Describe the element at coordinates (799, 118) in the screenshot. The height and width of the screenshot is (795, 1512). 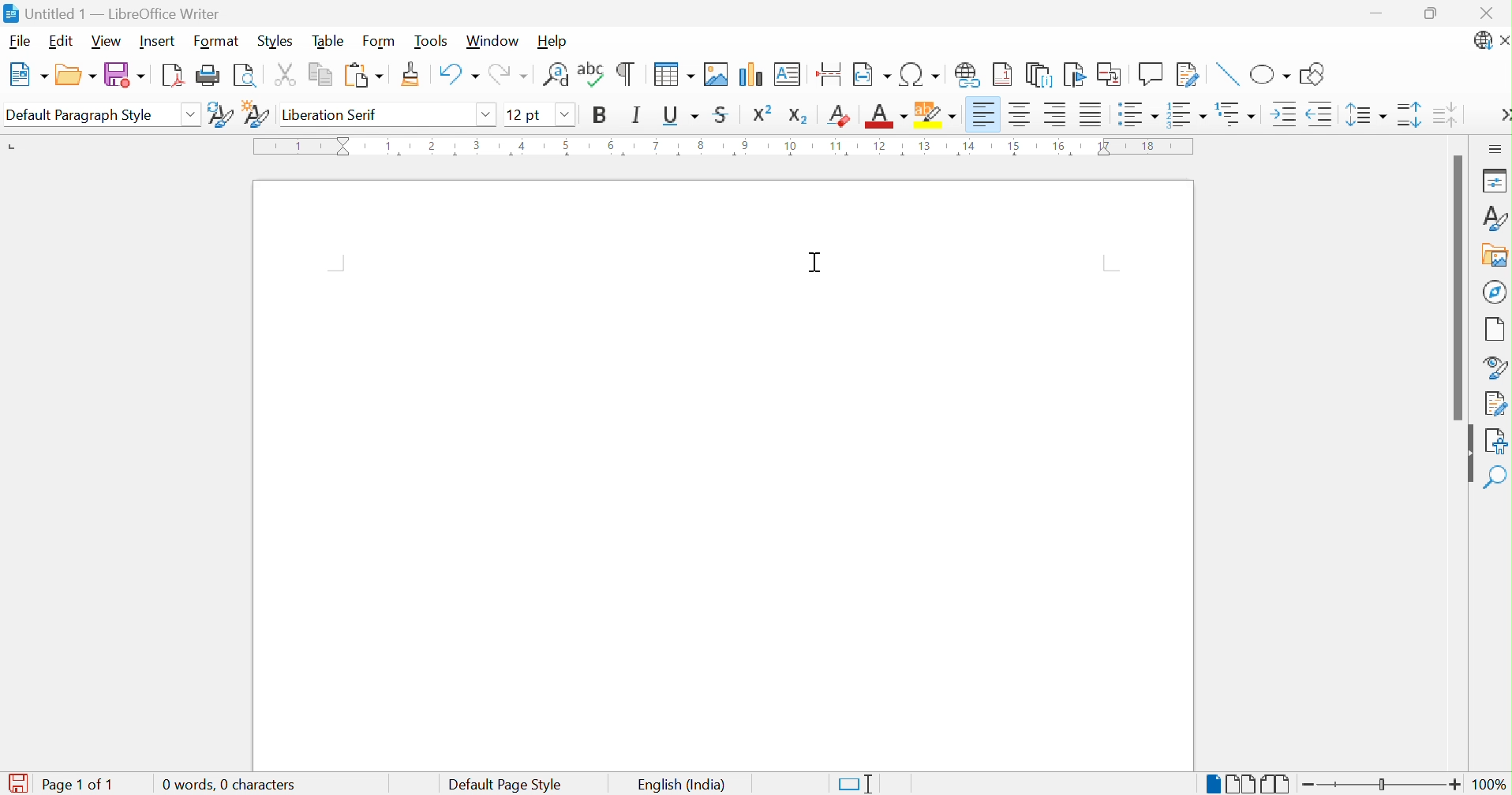
I see `Subscript` at that location.